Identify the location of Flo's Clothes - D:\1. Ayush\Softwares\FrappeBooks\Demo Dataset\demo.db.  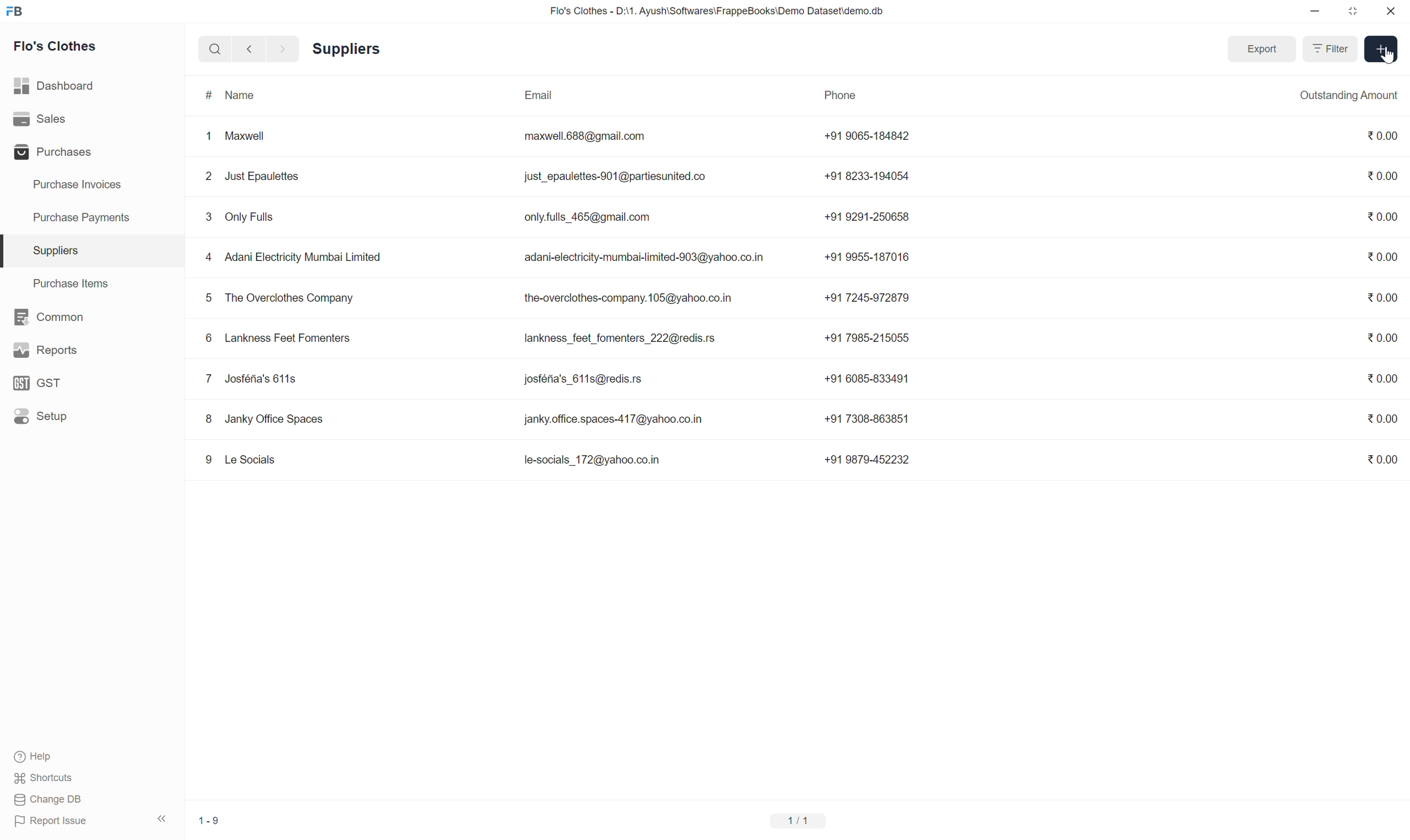
(717, 11).